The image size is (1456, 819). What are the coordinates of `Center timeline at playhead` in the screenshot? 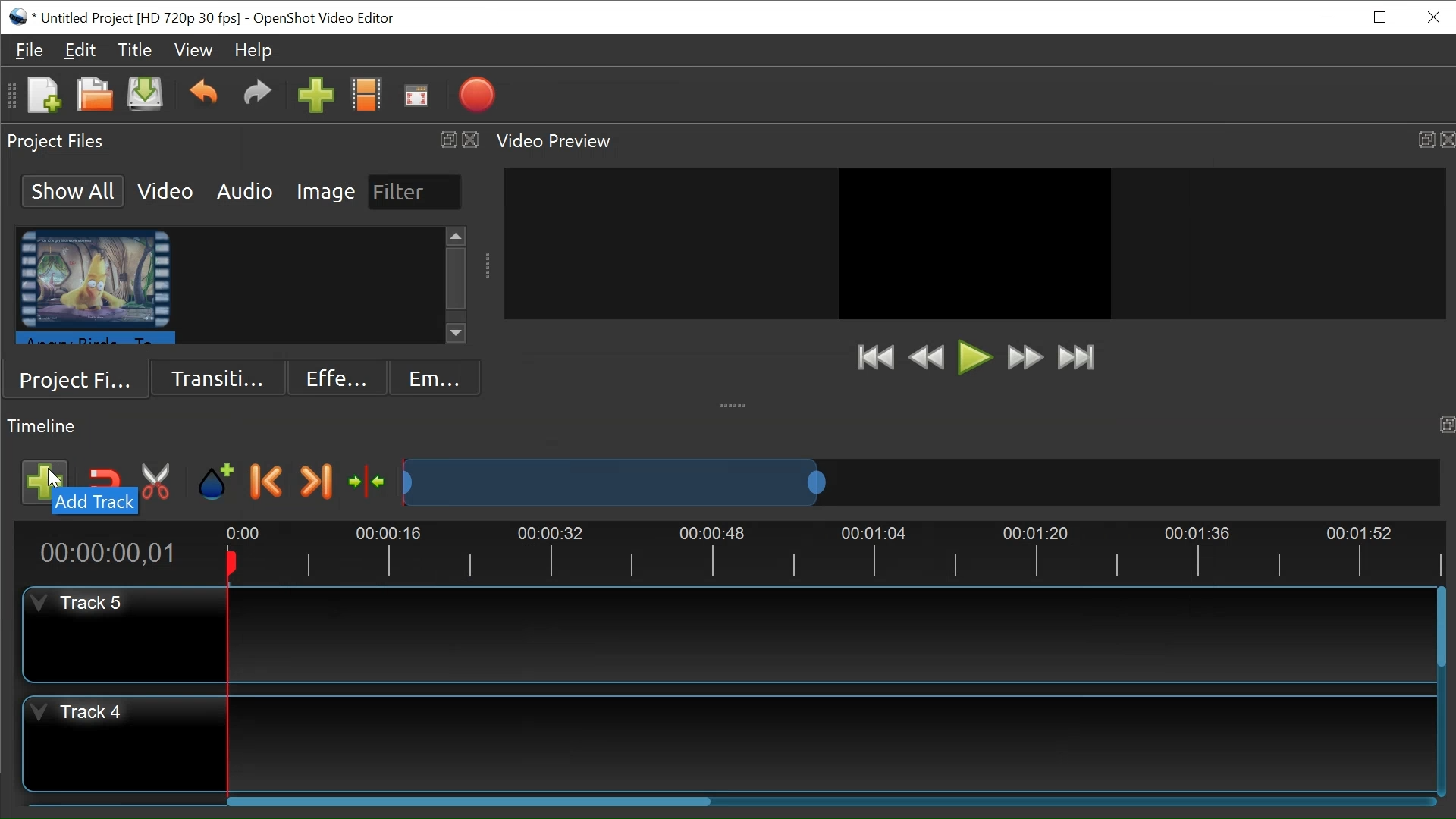 It's located at (369, 480).